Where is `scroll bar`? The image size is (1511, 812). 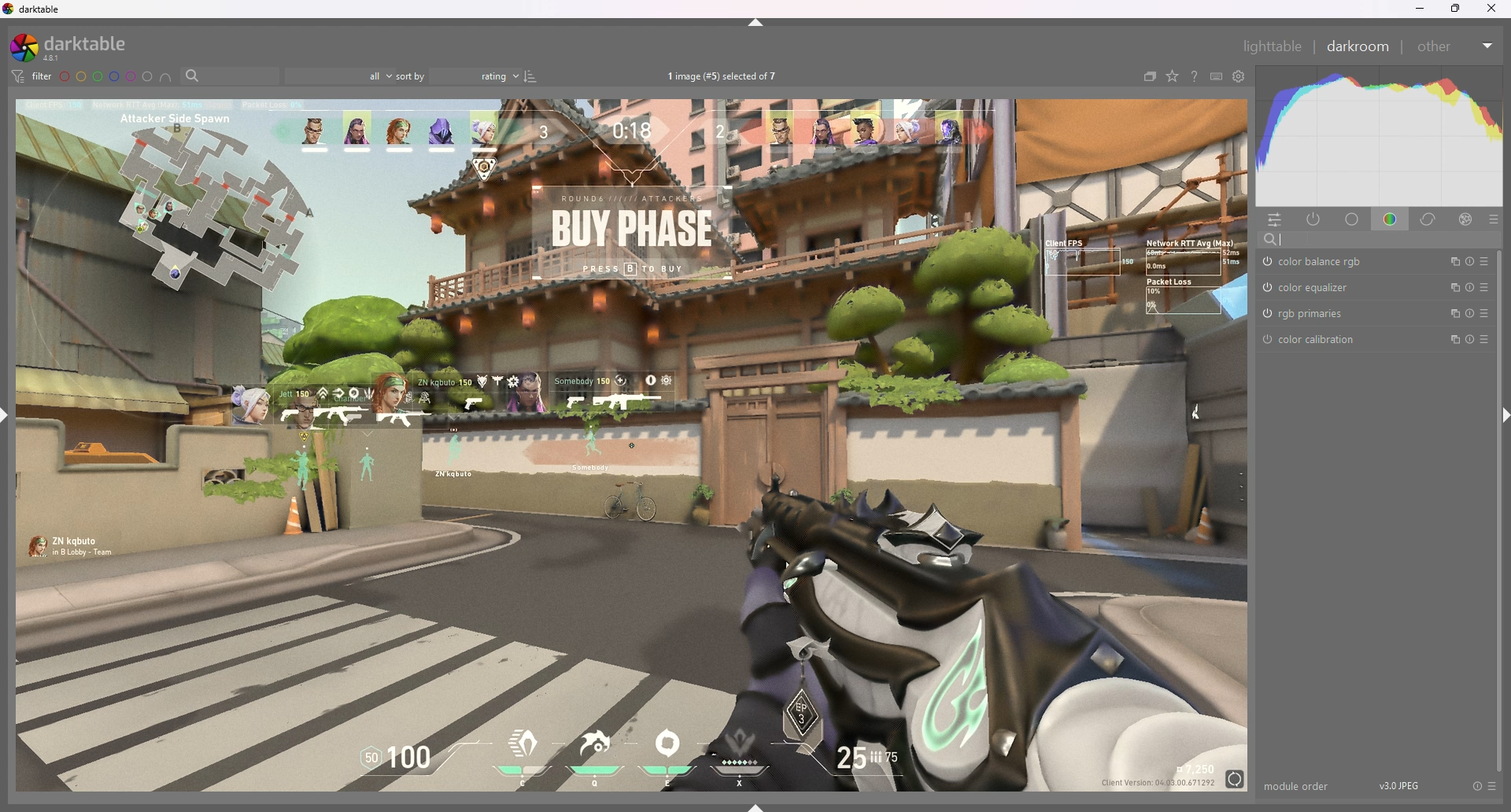
scroll bar is located at coordinates (1502, 513).